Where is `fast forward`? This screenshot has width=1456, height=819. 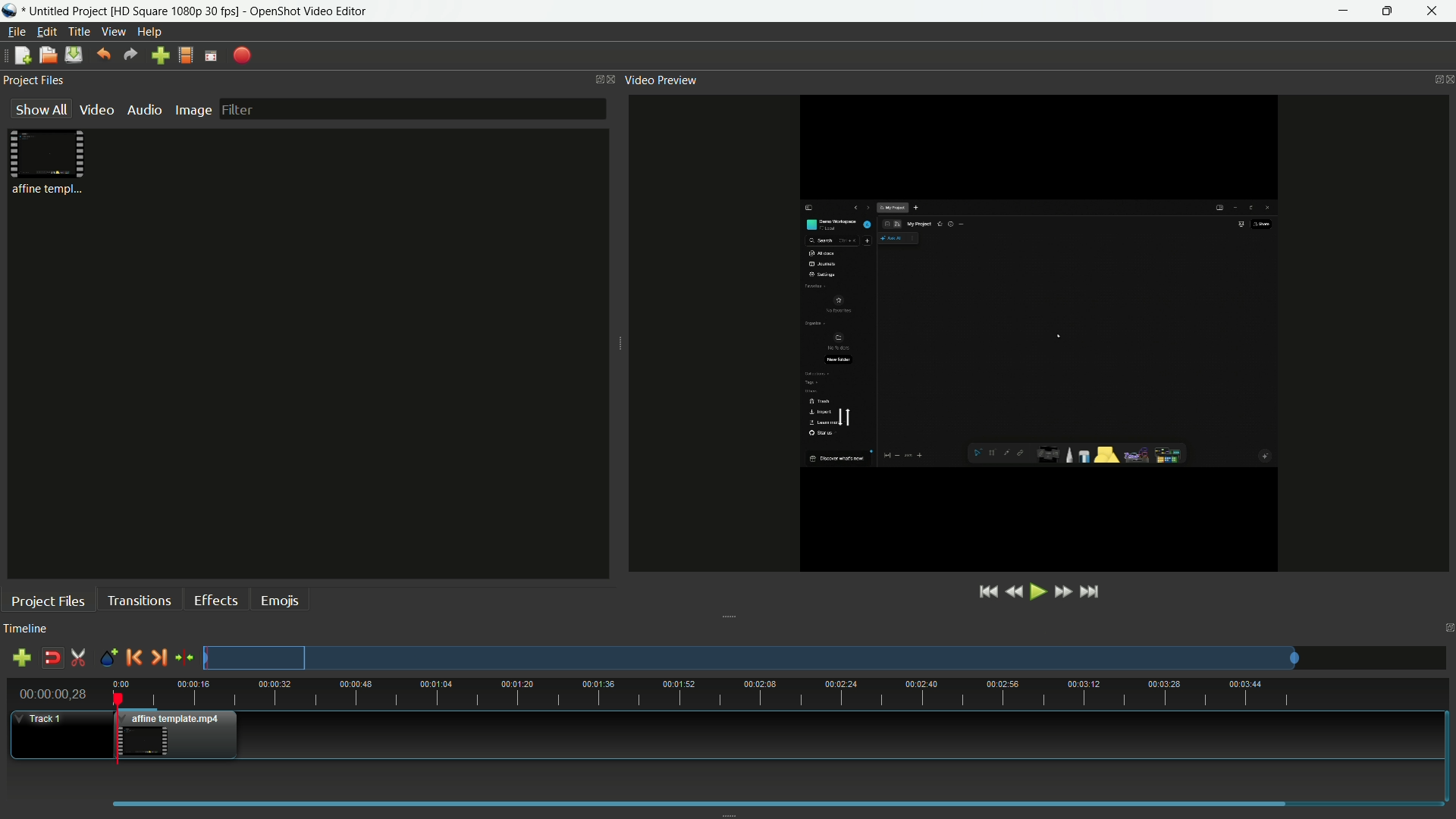
fast forward is located at coordinates (1065, 592).